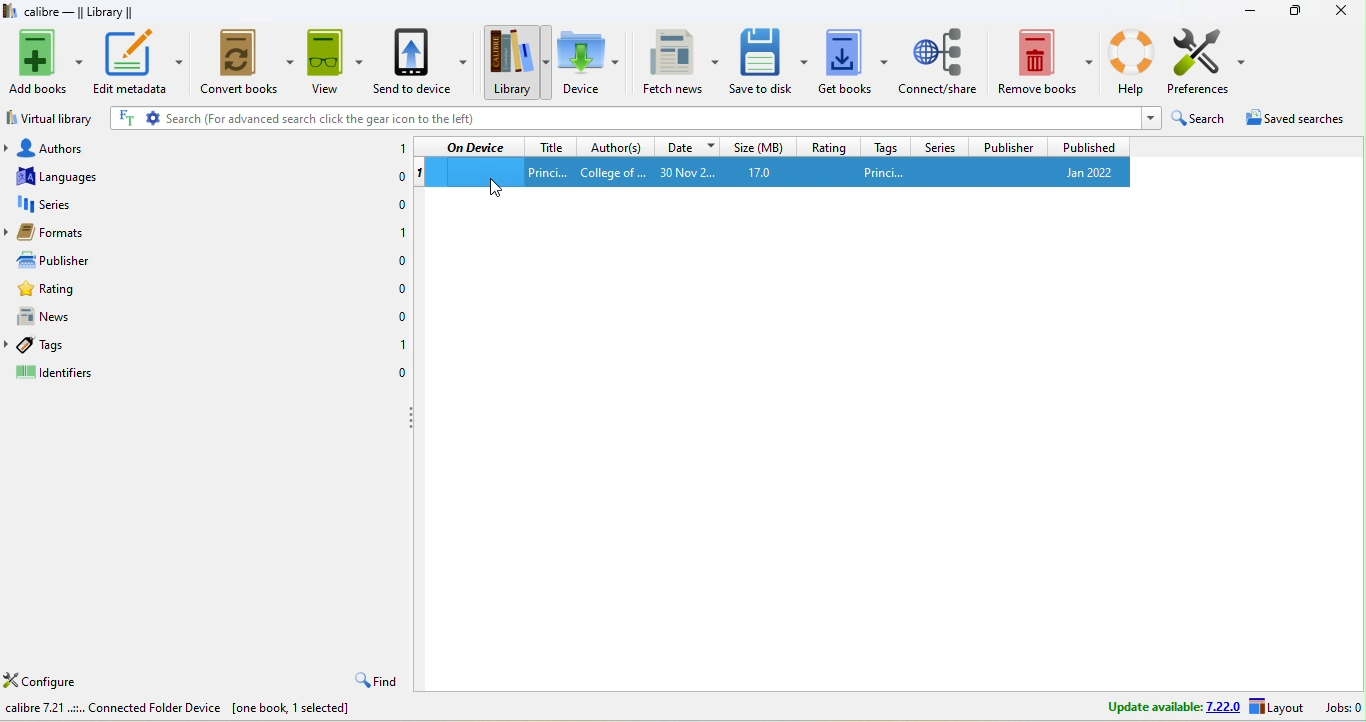  I want to click on 30 nov 2, so click(694, 172).